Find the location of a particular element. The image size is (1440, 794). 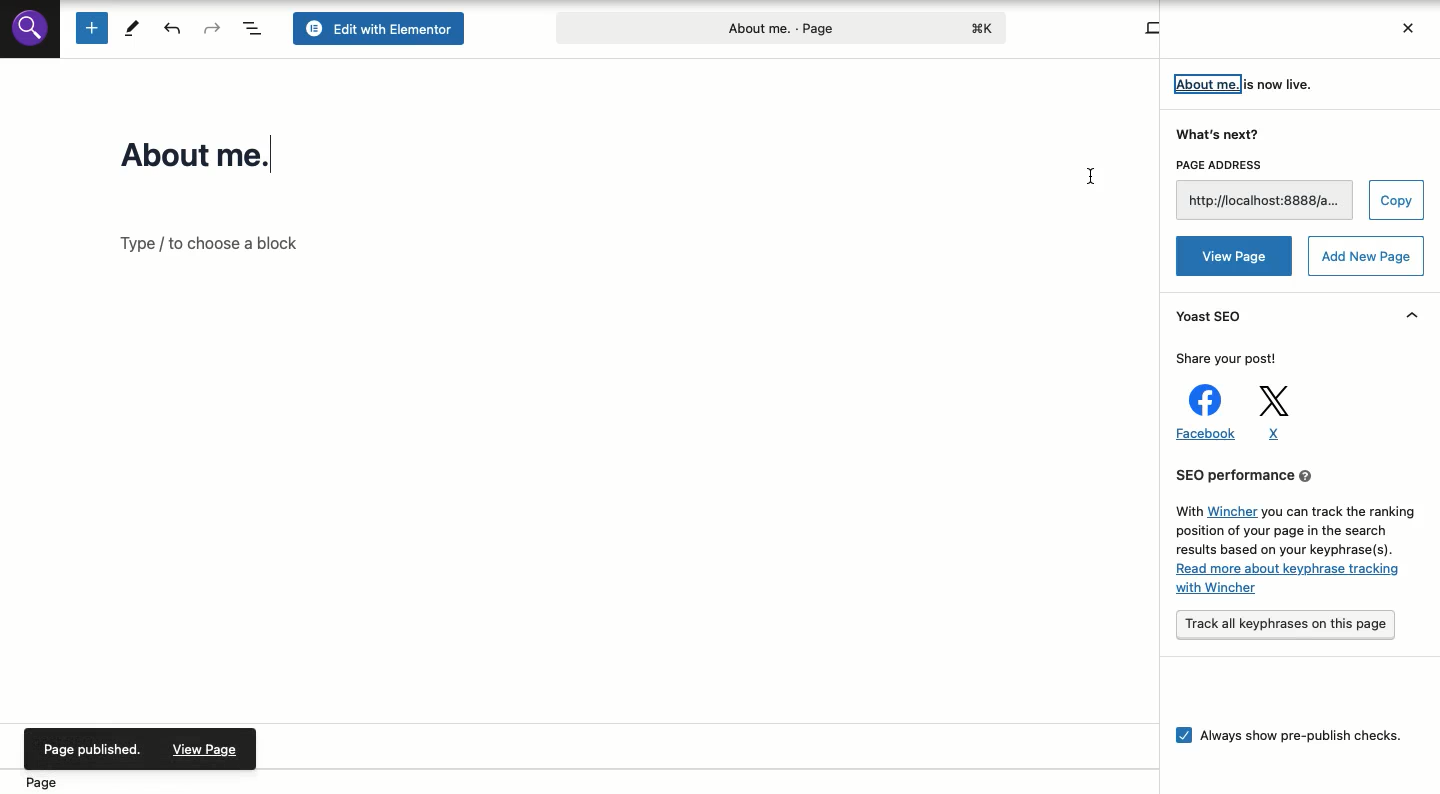

About me. is located at coordinates (217, 154).